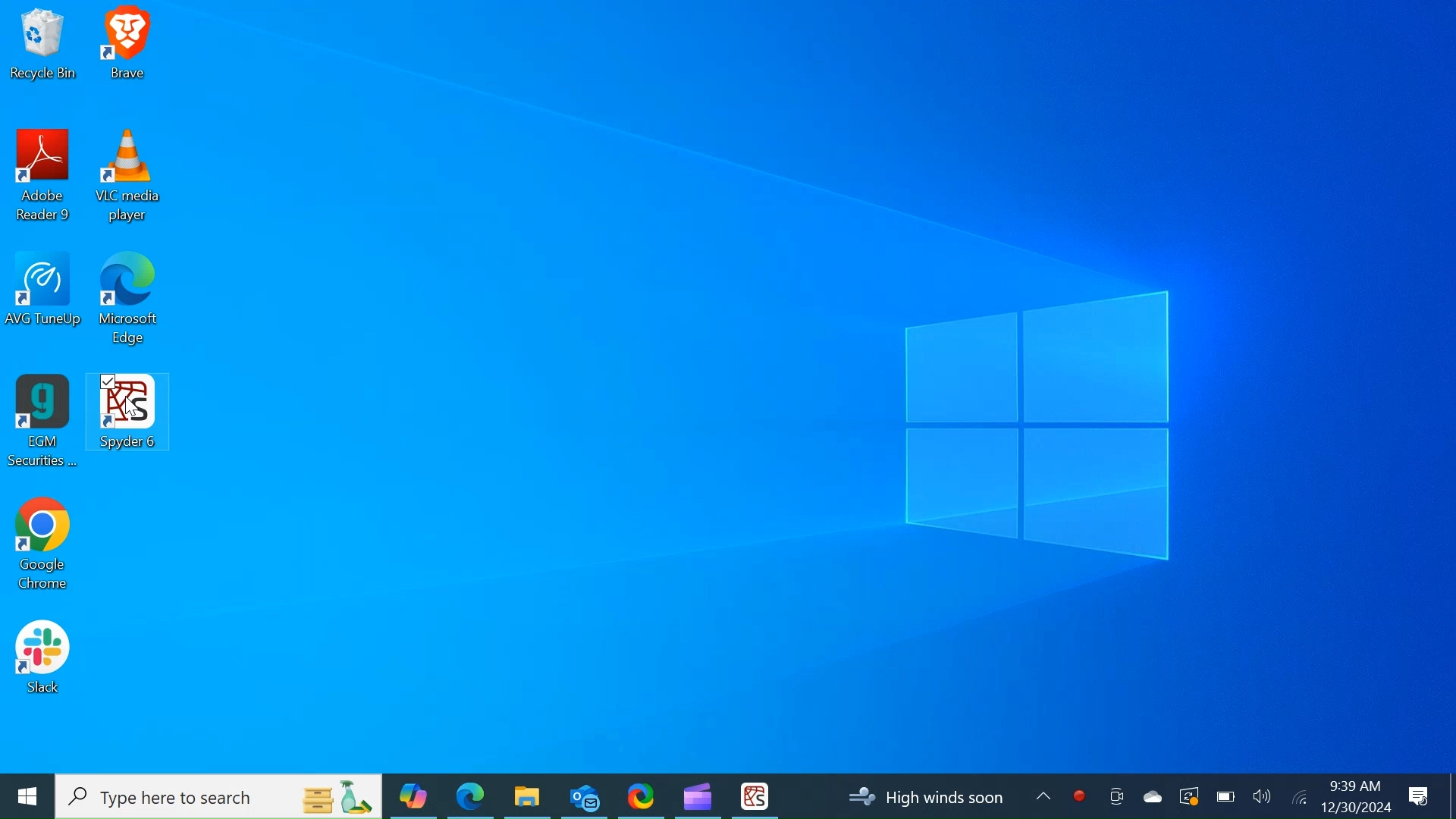  I want to click on Restart Update, so click(1187, 795).